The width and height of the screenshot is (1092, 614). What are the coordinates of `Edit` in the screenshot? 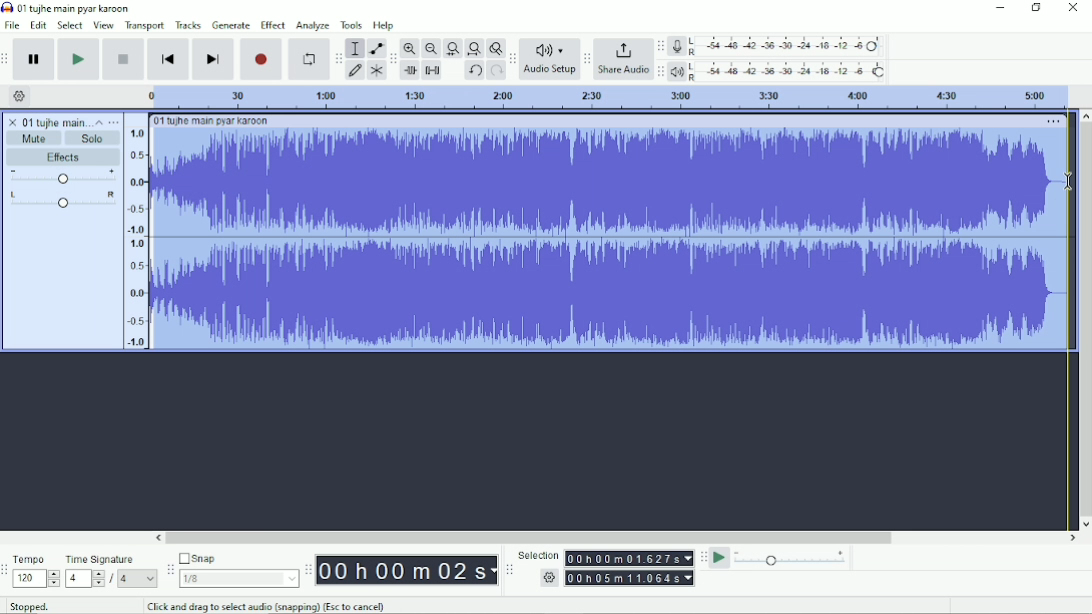 It's located at (39, 26).